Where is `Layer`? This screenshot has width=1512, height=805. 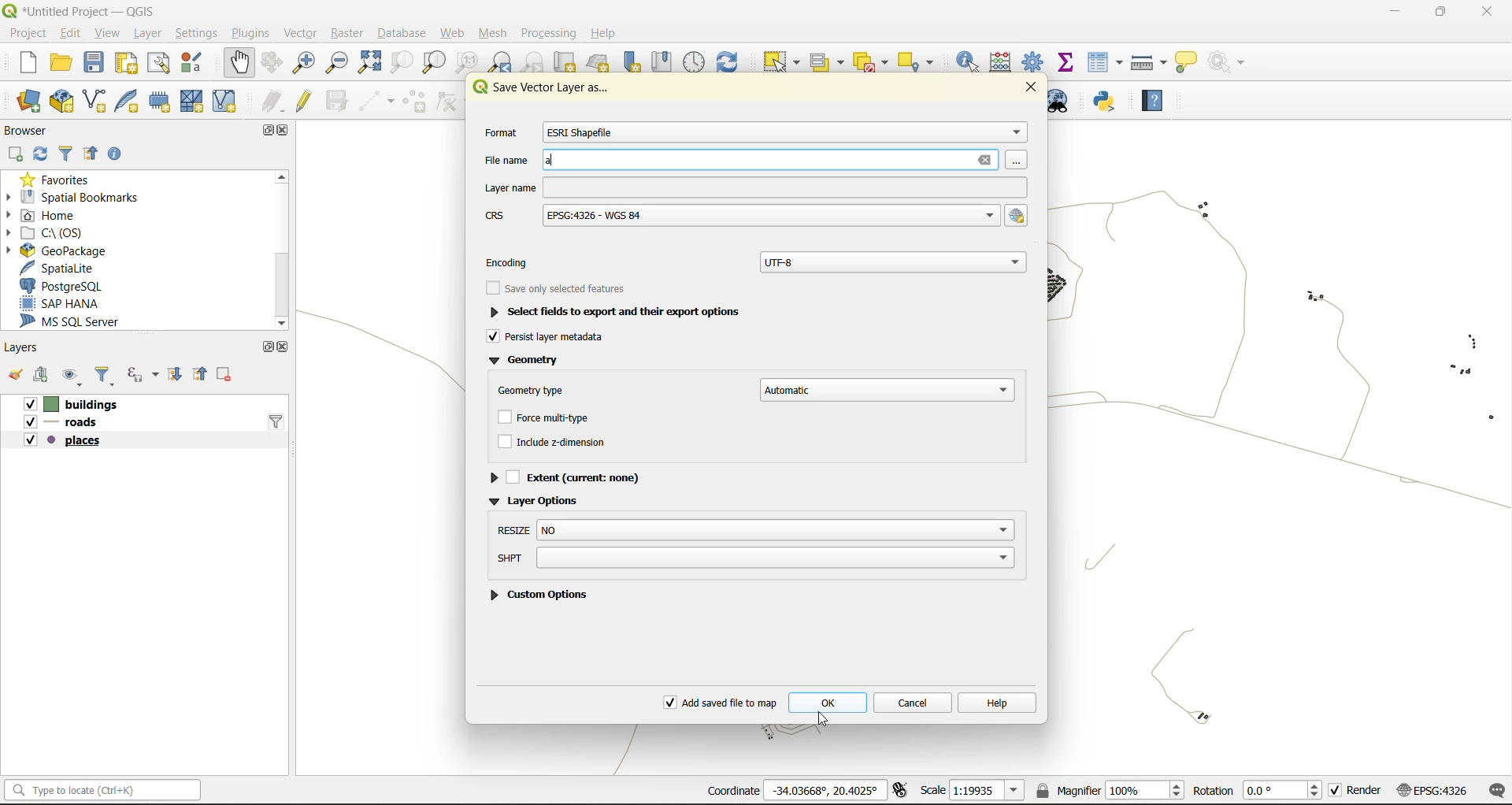 Layer is located at coordinates (752, 187).